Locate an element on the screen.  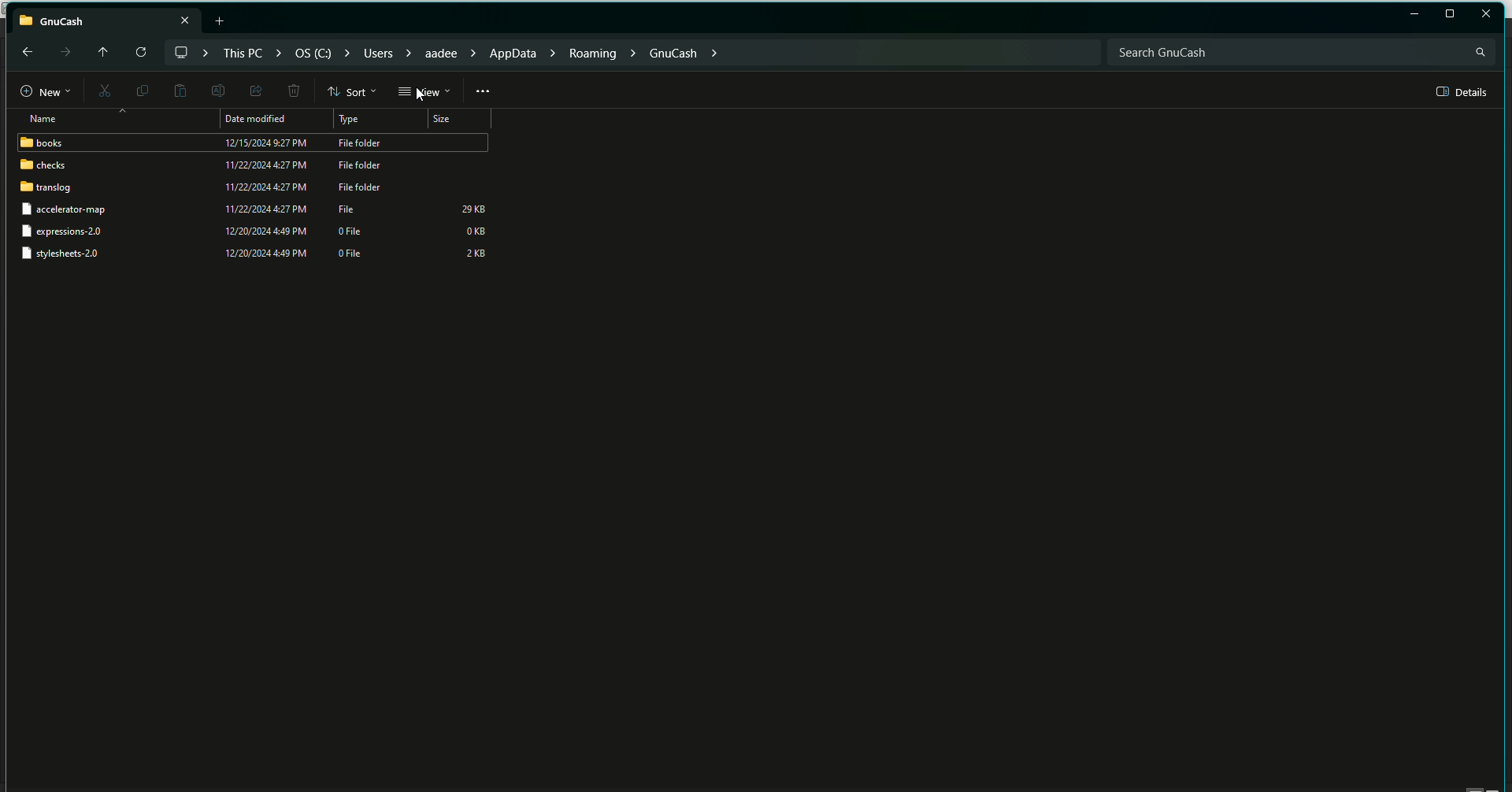
expressions is located at coordinates (67, 231).